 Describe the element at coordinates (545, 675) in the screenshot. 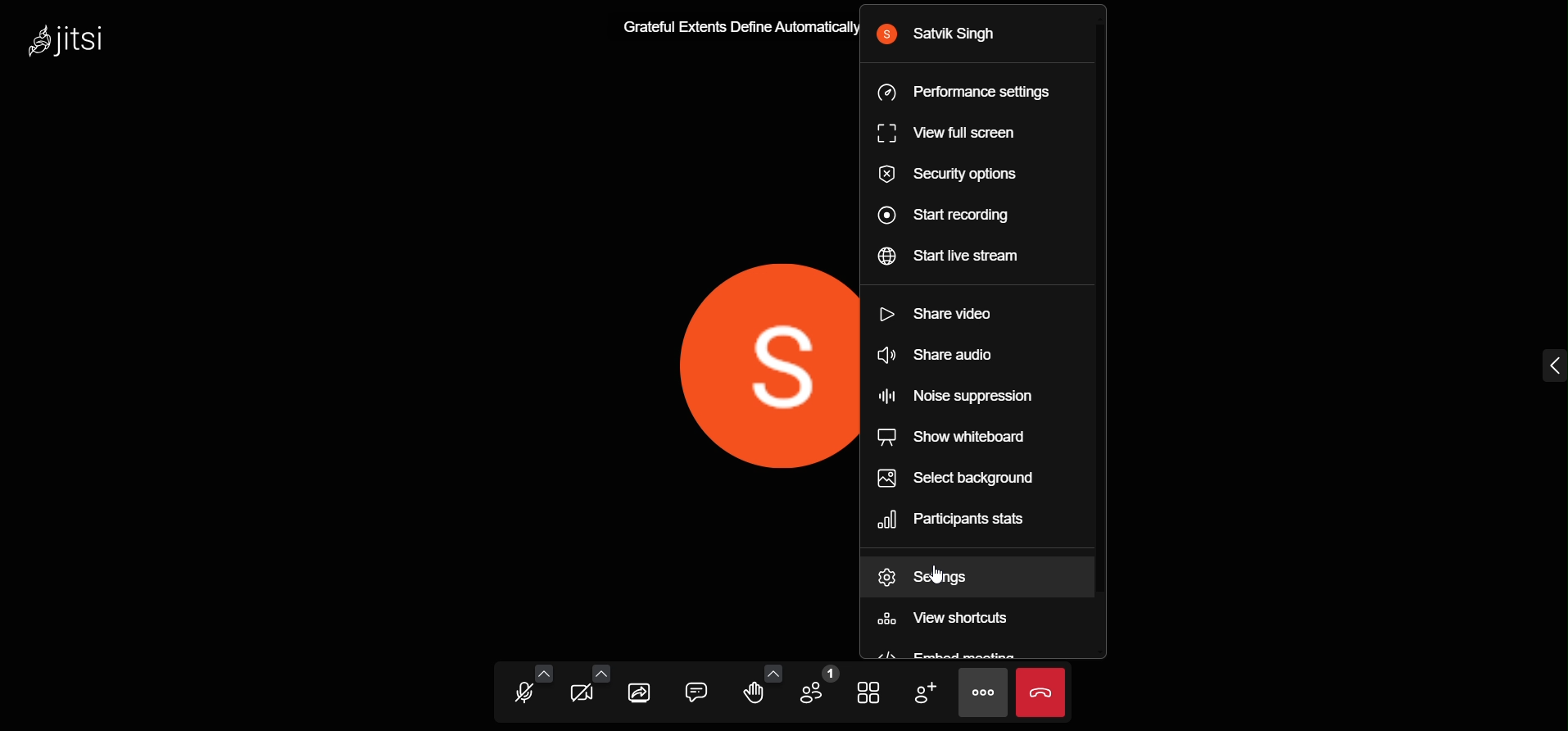

I see `audio setting` at that location.